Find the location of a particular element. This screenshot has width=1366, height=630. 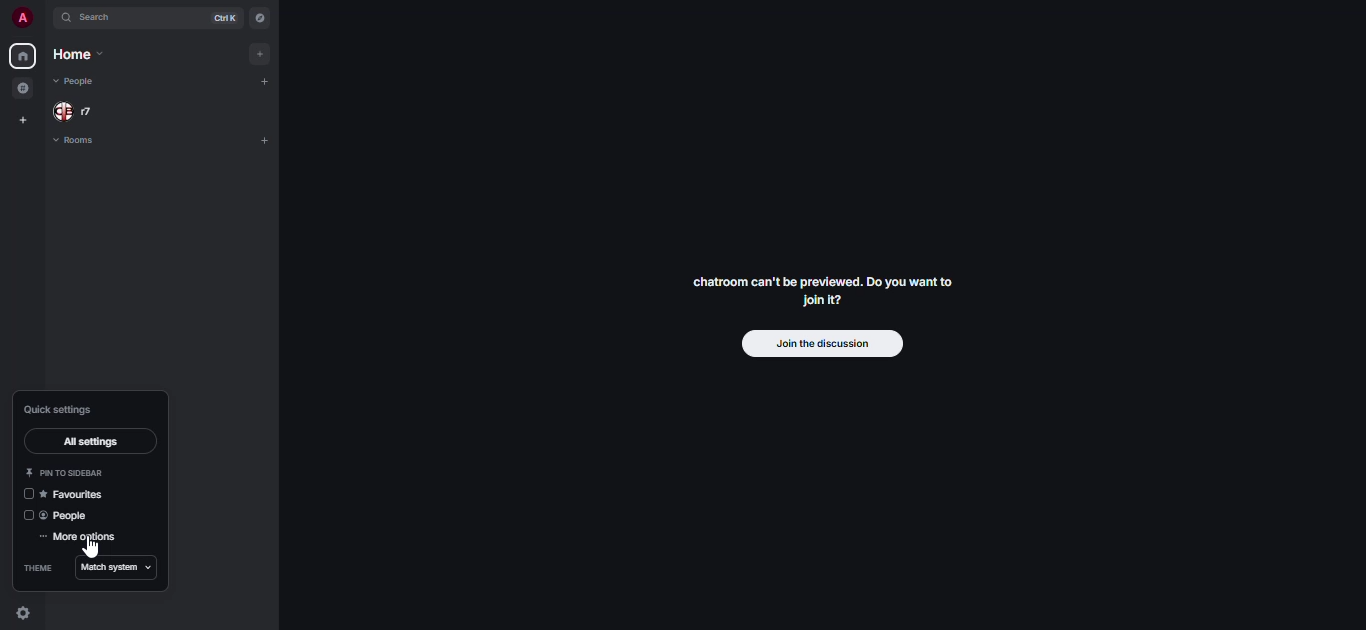

home is located at coordinates (22, 55).